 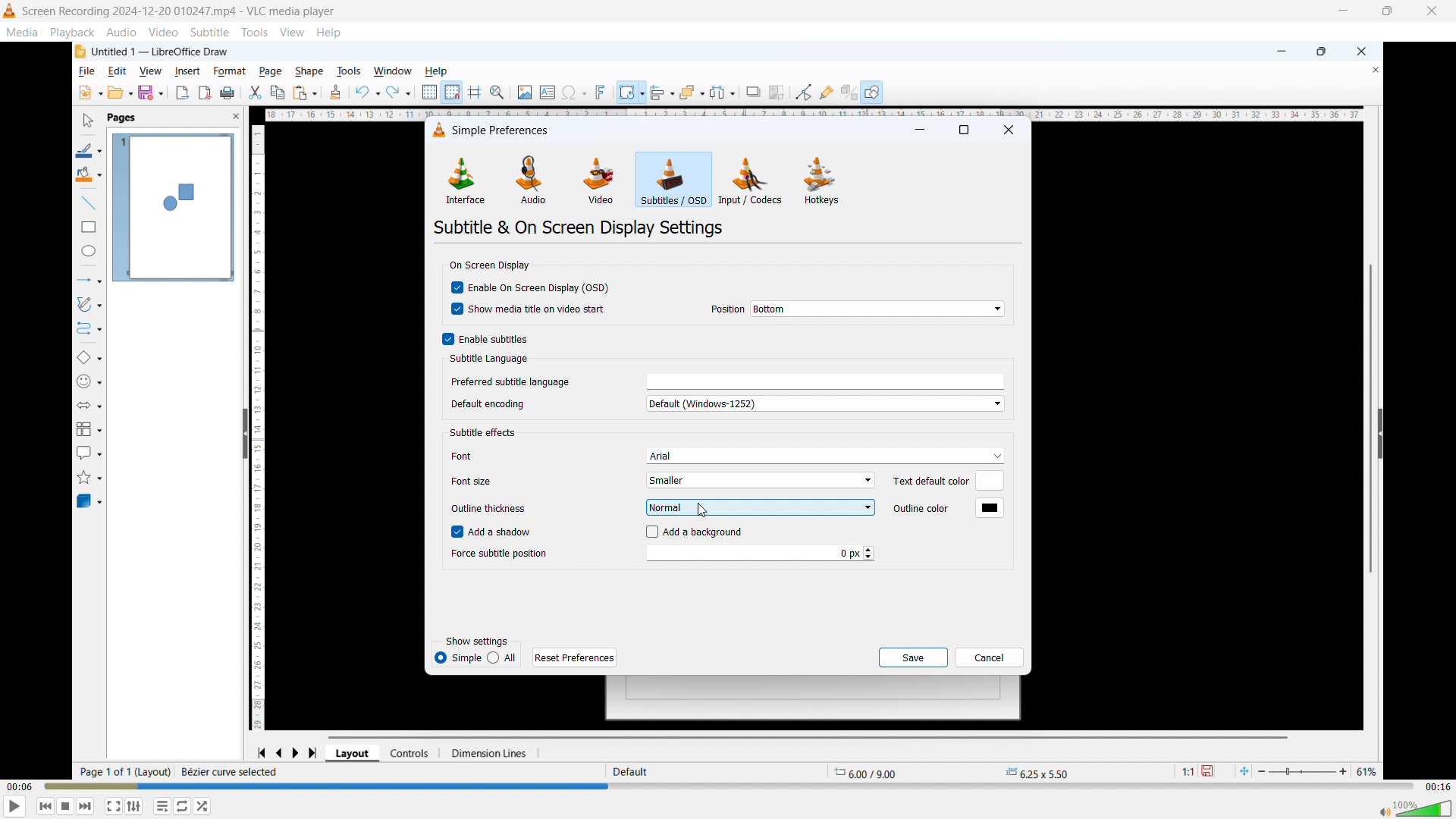 What do you see at coordinates (466, 180) in the screenshot?
I see `Interface ` at bounding box center [466, 180].